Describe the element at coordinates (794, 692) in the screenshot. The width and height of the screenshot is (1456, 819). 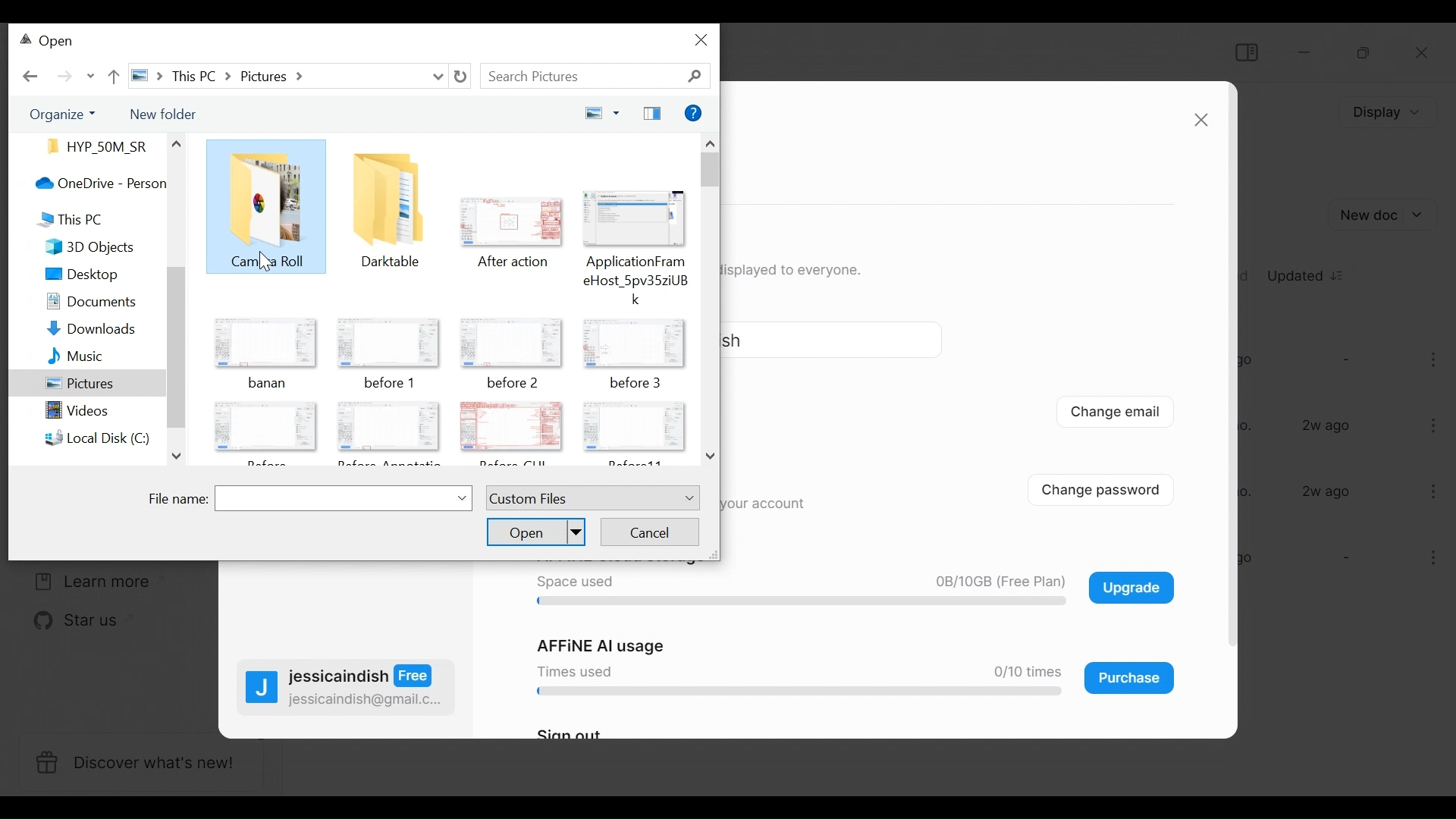
I see `progress bar` at that location.